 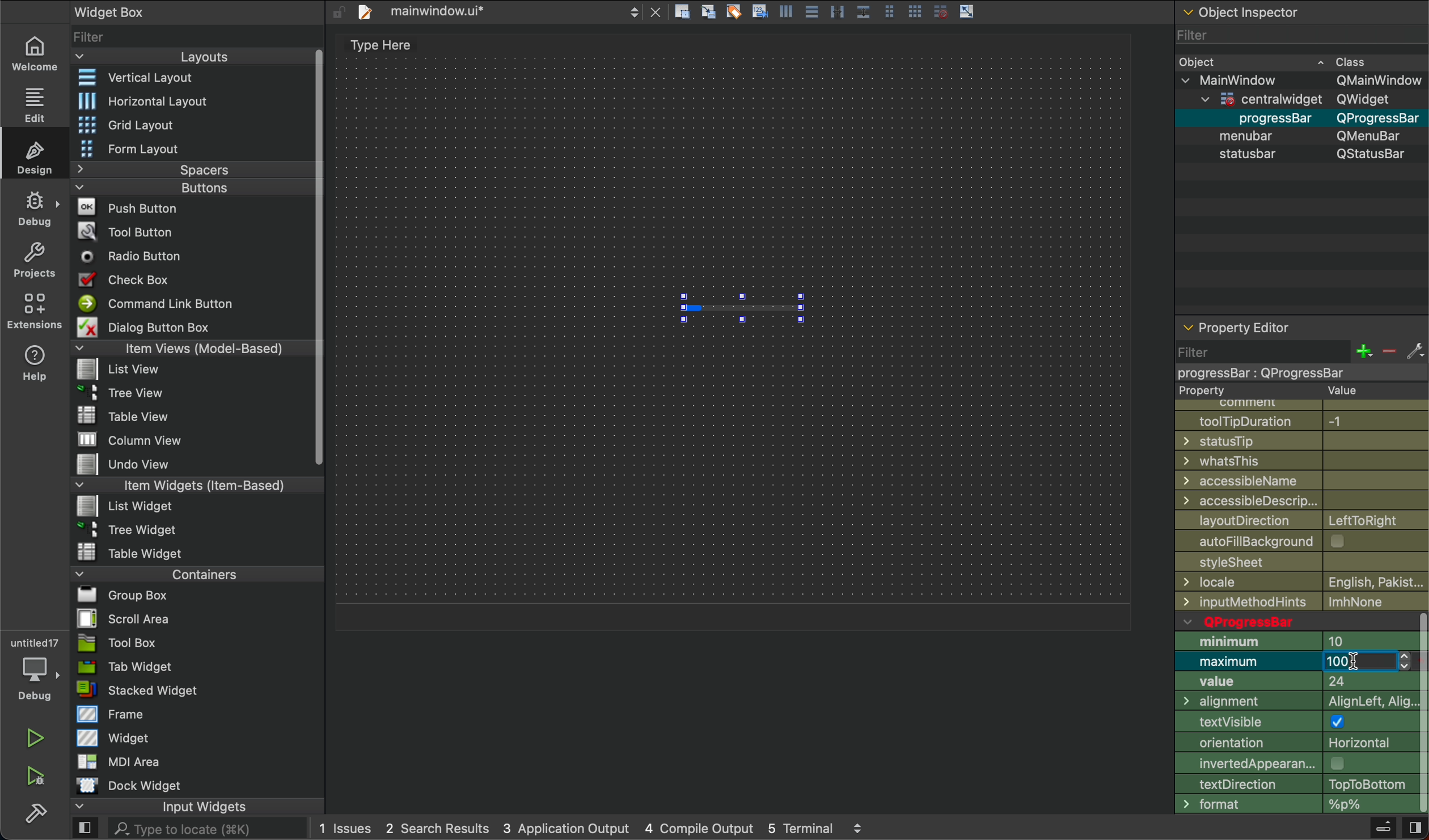 I want to click on edit, so click(x=32, y=103).